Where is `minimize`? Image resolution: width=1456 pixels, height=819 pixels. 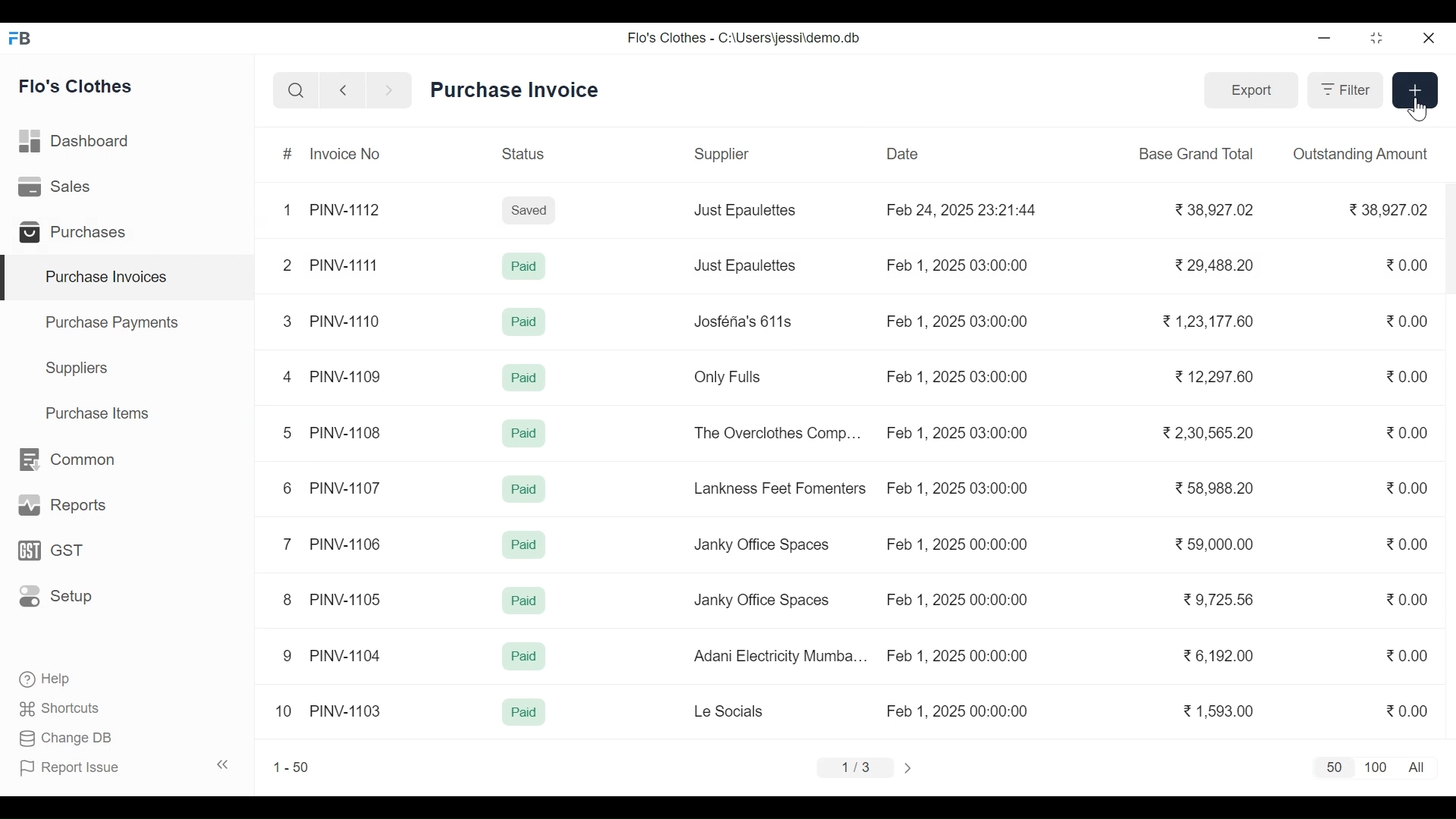 minimize is located at coordinates (1326, 39).